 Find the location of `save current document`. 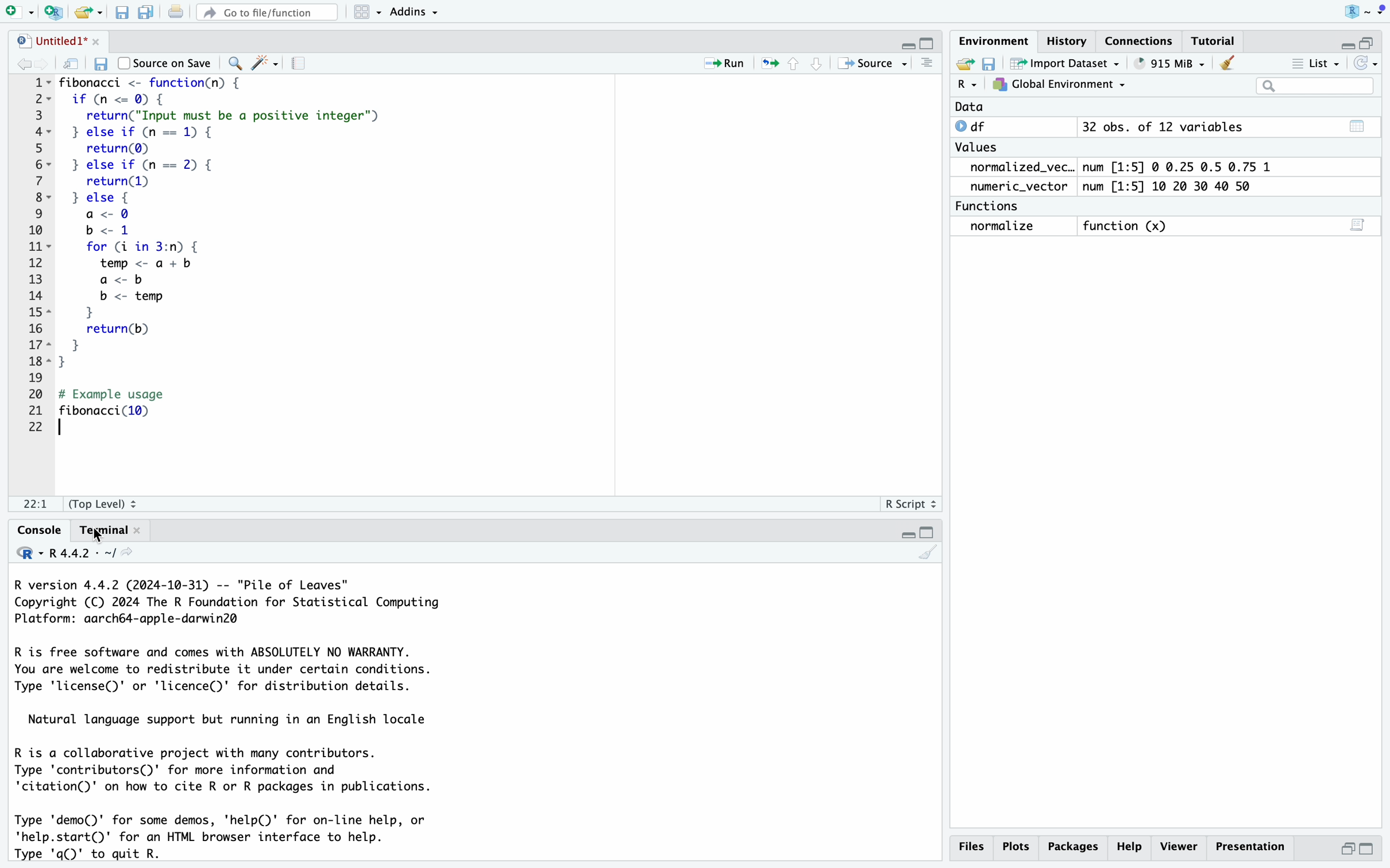

save current document is located at coordinates (100, 64).